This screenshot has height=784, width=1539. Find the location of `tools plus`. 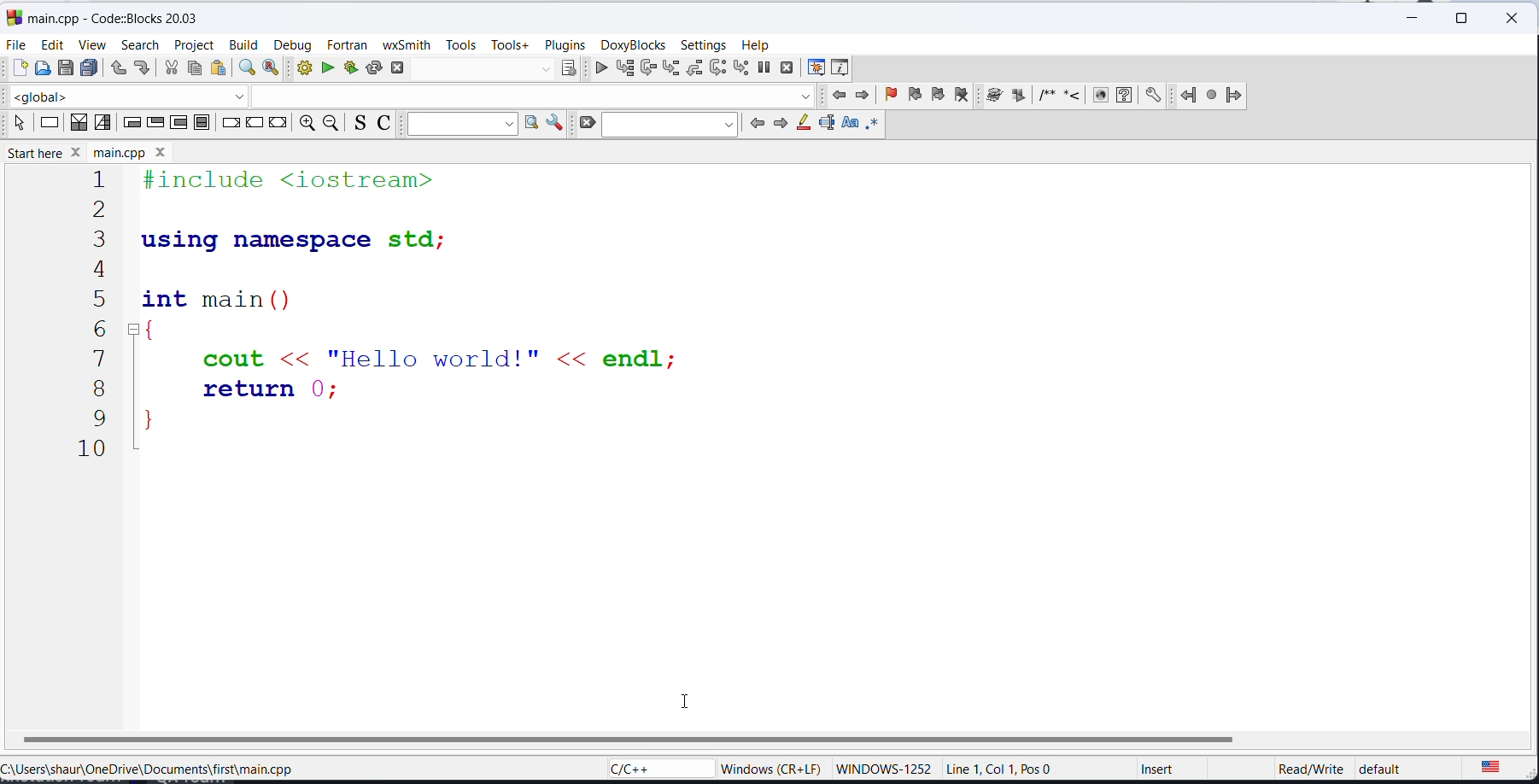

tools plus is located at coordinates (507, 46).